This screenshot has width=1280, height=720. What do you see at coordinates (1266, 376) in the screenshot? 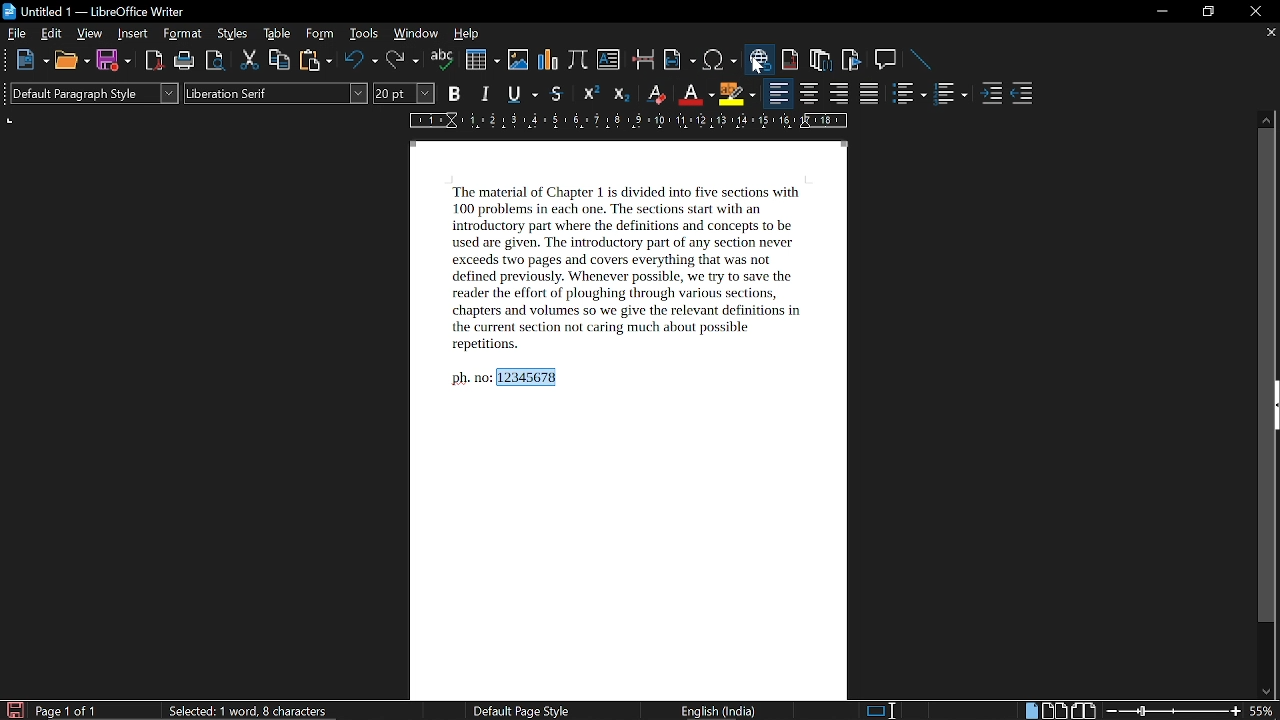
I see `vertical scrollbar` at bounding box center [1266, 376].